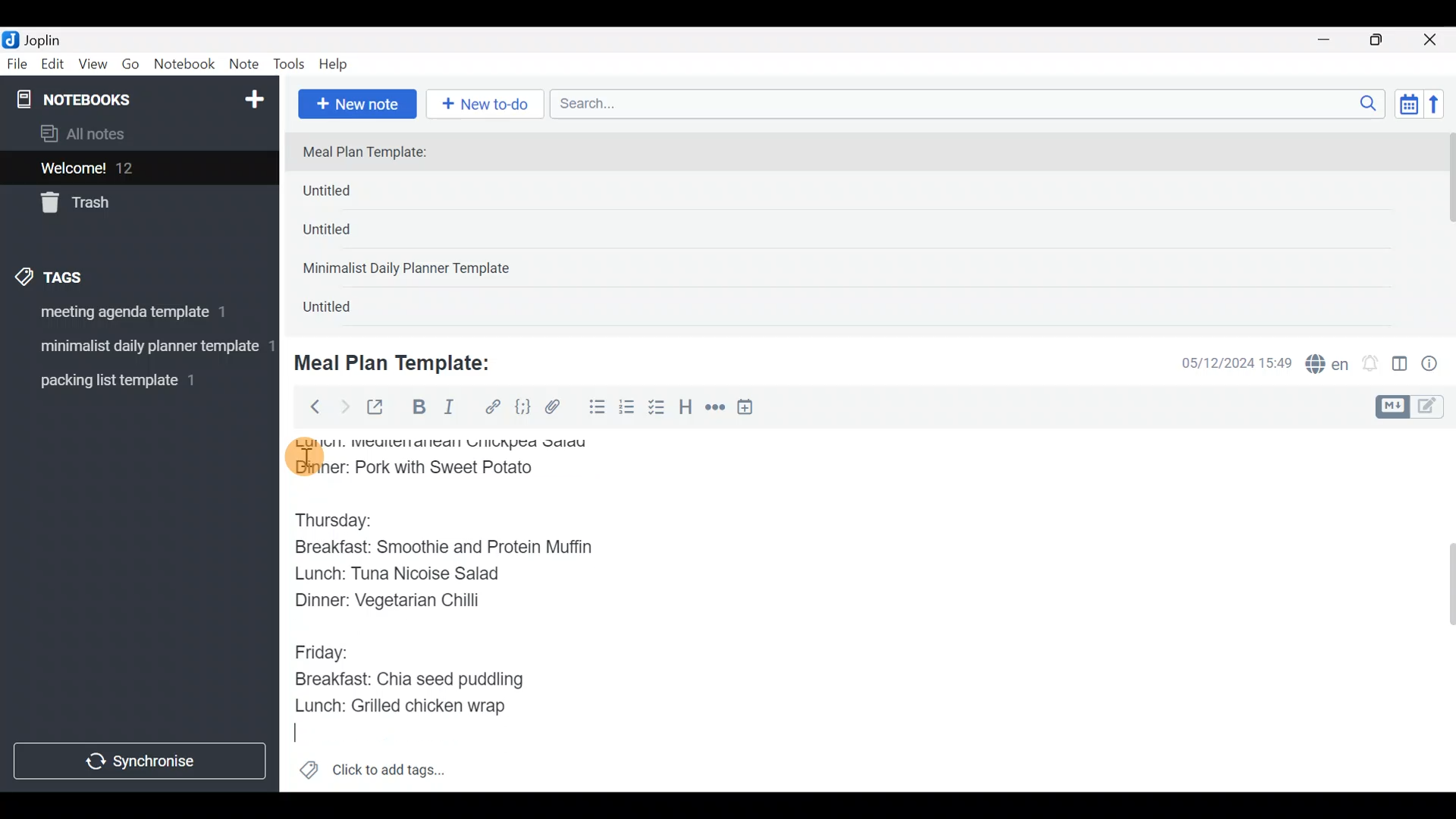 The width and height of the screenshot is (1456, 819). Describe the element at coordinates (136, 135) in the screenshot. I see `All notes` at that location.